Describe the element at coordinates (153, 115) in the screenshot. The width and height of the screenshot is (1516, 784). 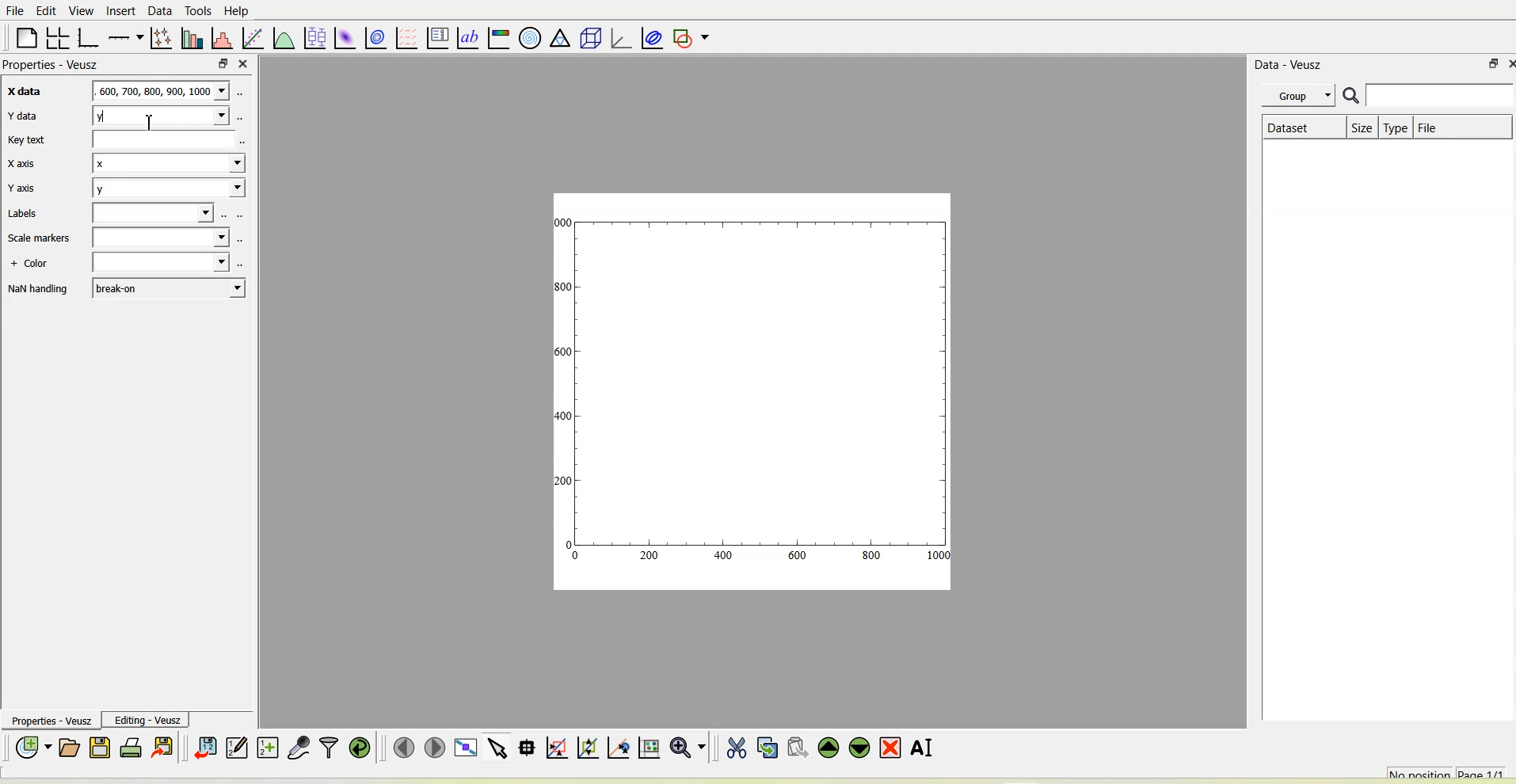
I see `cursor` at that location.